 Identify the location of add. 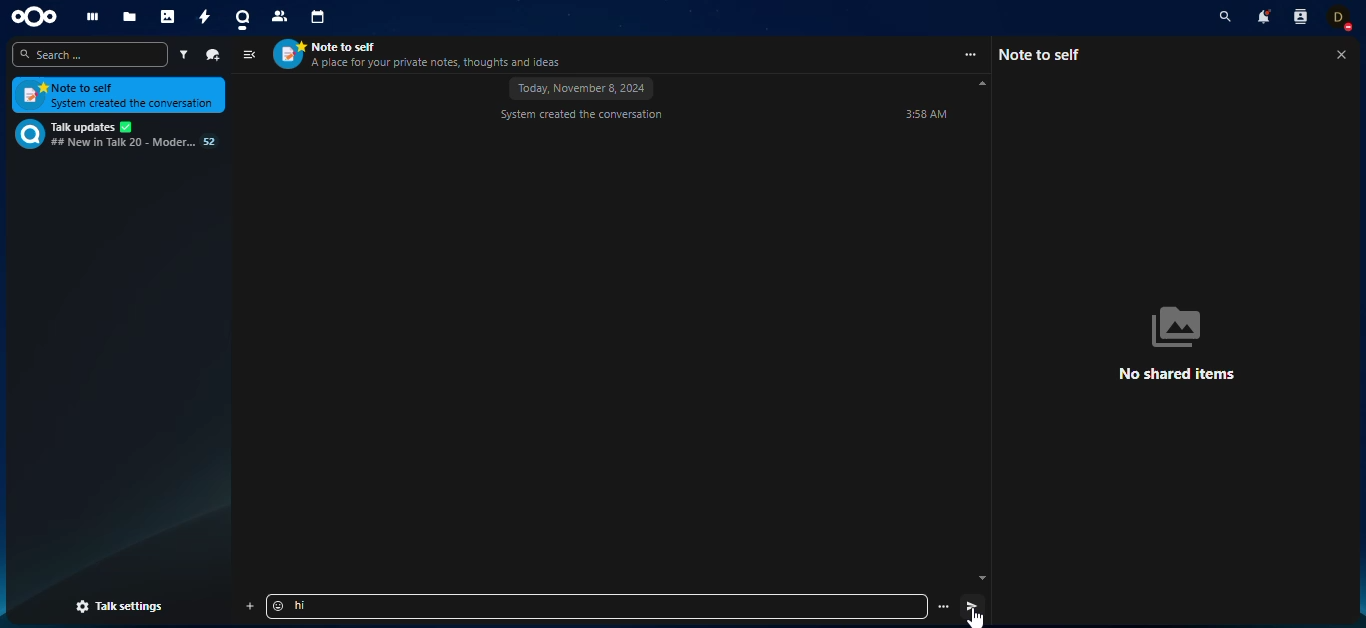
(250, 606).